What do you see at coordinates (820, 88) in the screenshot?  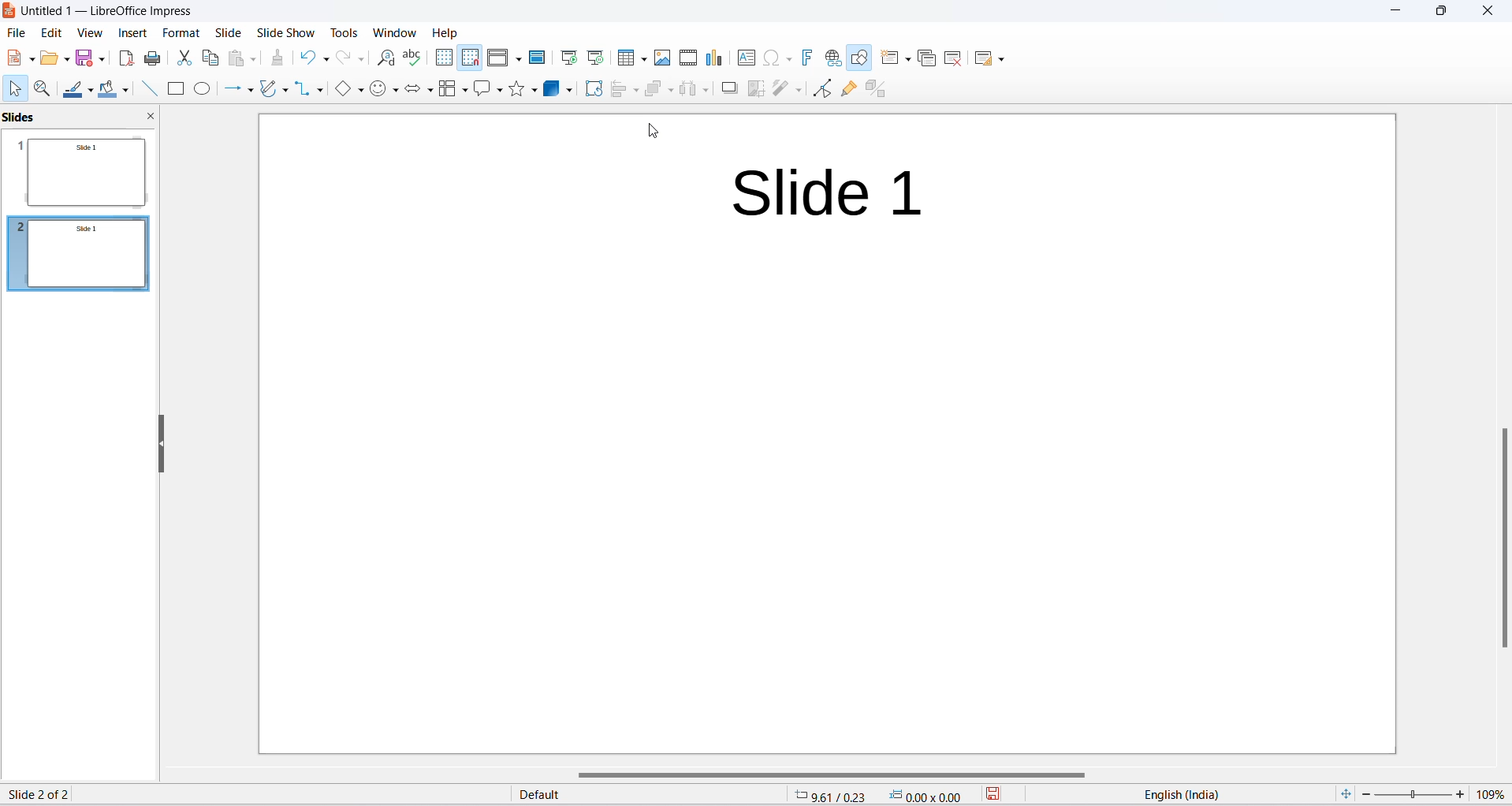 I see `toggle point end mode` at bounding box center [820, 88].